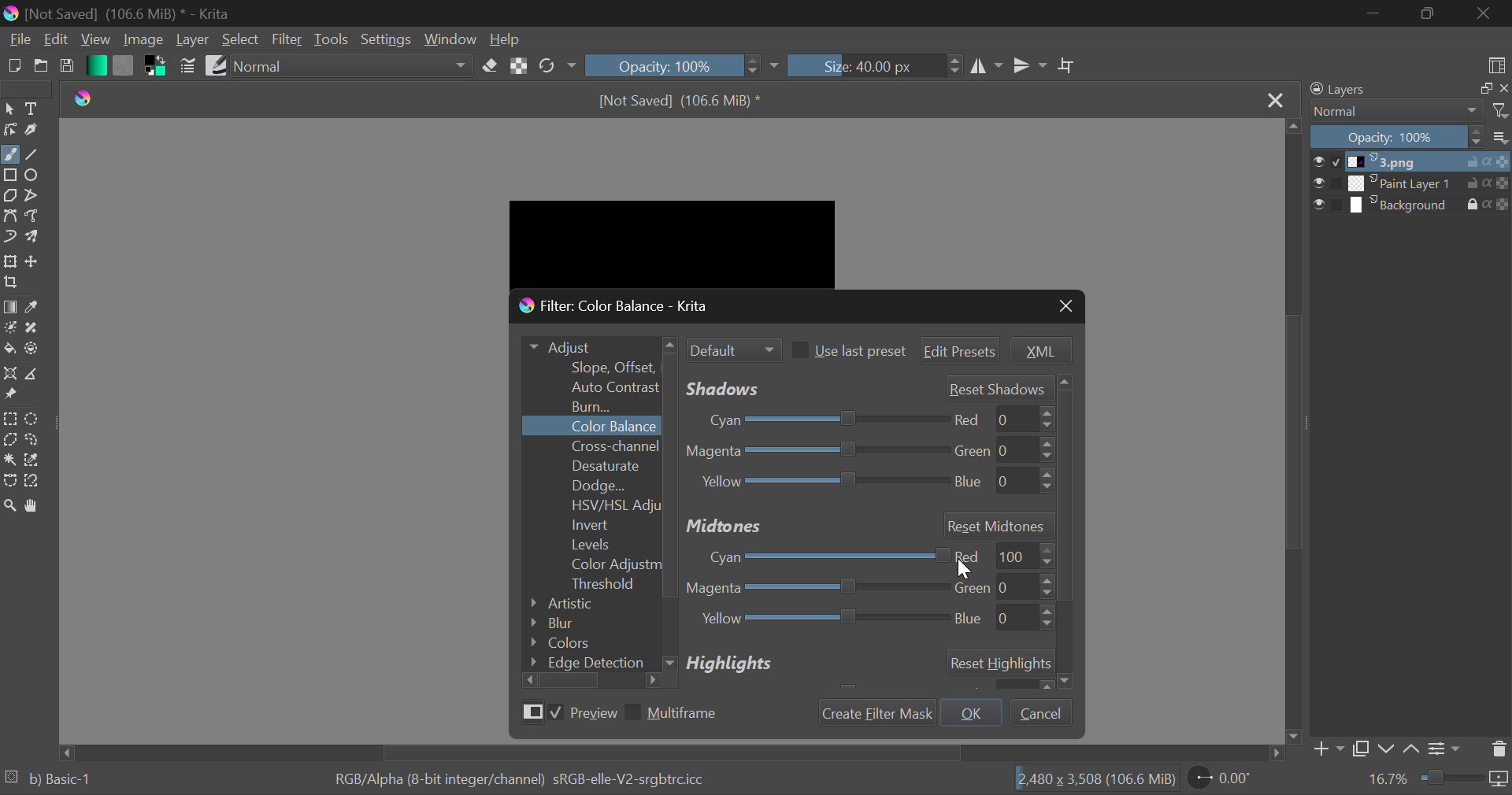 Image resolution: width=1512 pixels, height=795 pixels. I want to click on Yellow Blue Adjustment Slider, so click(819, 621).